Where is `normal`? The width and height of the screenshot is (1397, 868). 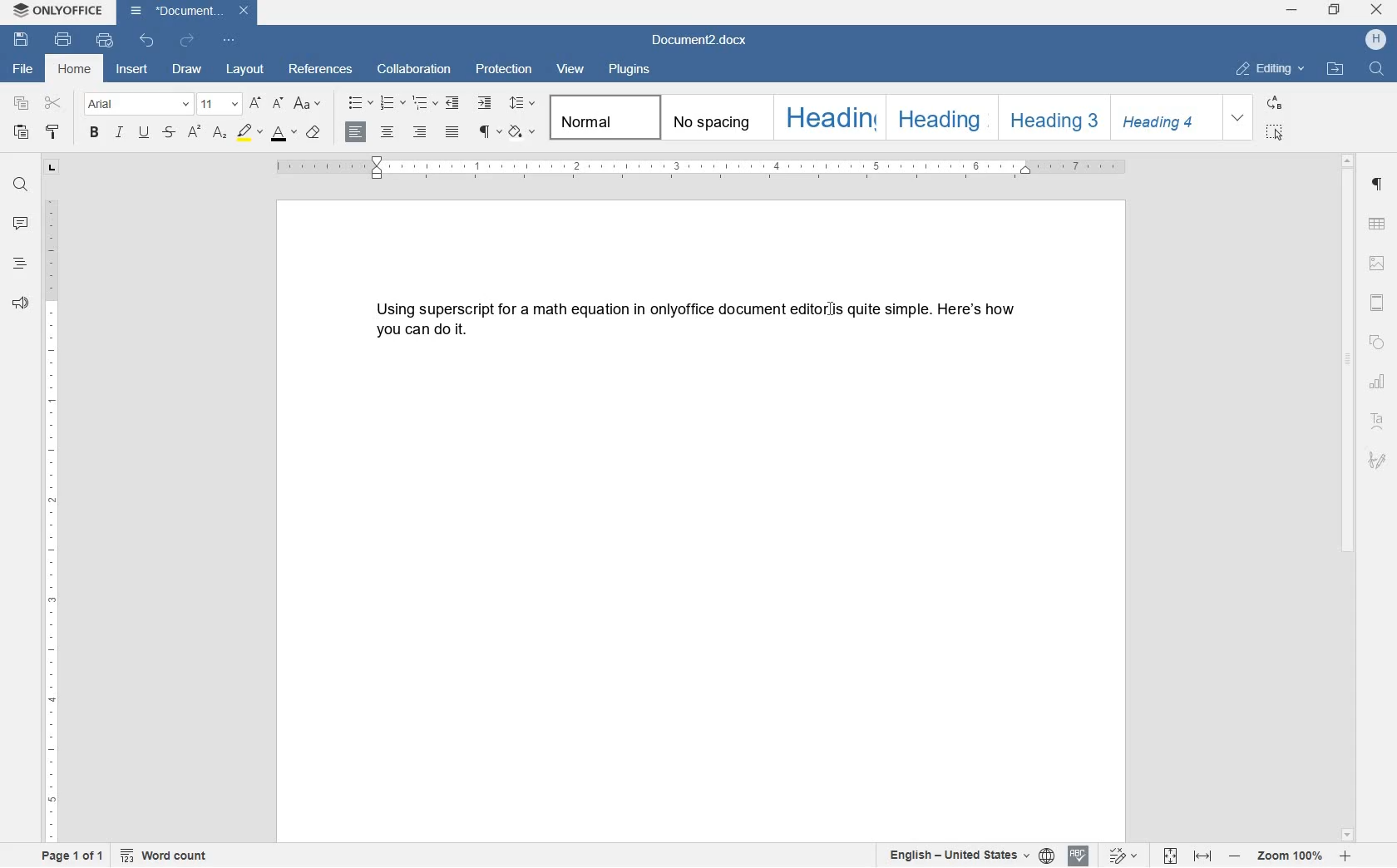 normal is located at coordinates (601, 118).